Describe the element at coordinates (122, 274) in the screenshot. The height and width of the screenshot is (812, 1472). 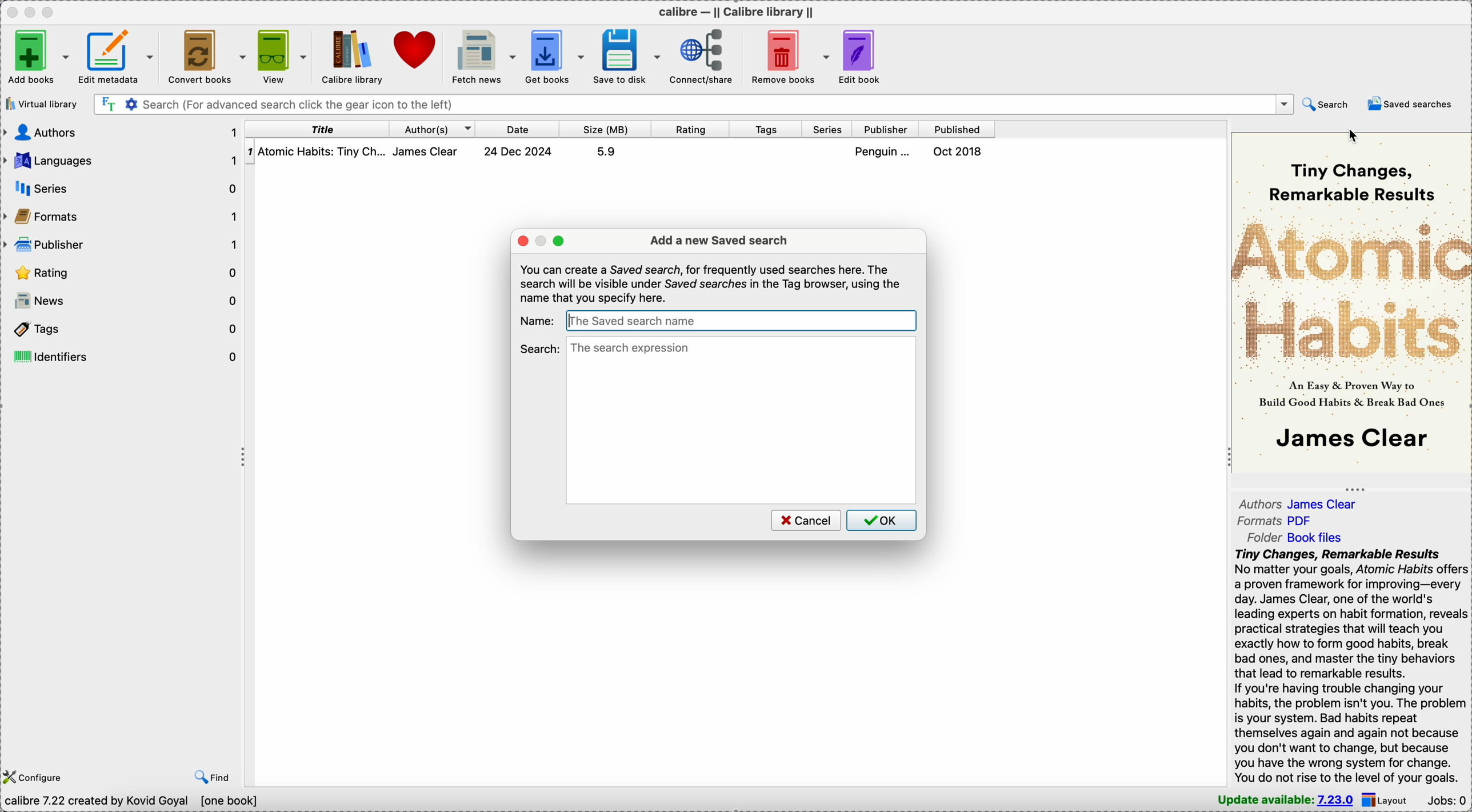
I see `rating` at that location.